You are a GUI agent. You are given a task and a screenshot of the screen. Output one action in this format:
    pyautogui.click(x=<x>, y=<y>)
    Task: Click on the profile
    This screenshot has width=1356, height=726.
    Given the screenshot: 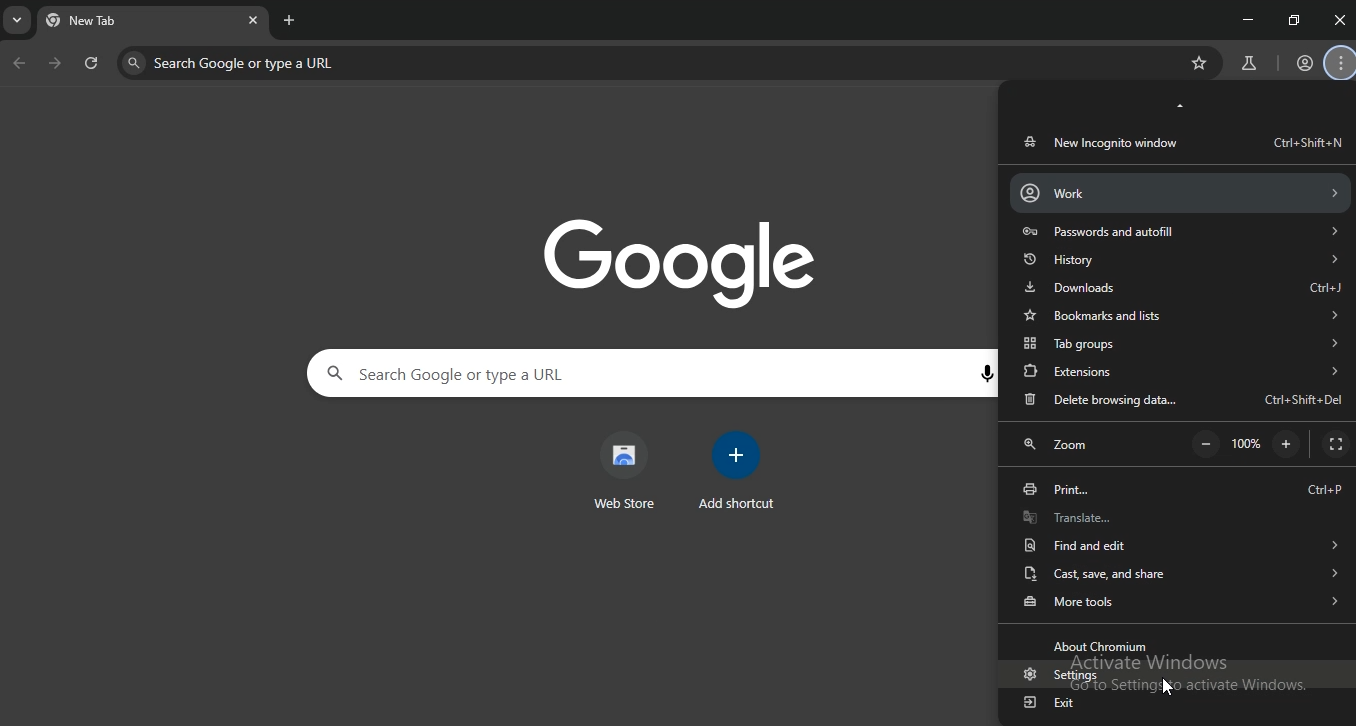 What is the action you would take?
    pyautogui.click(x=1305, y=64)
    